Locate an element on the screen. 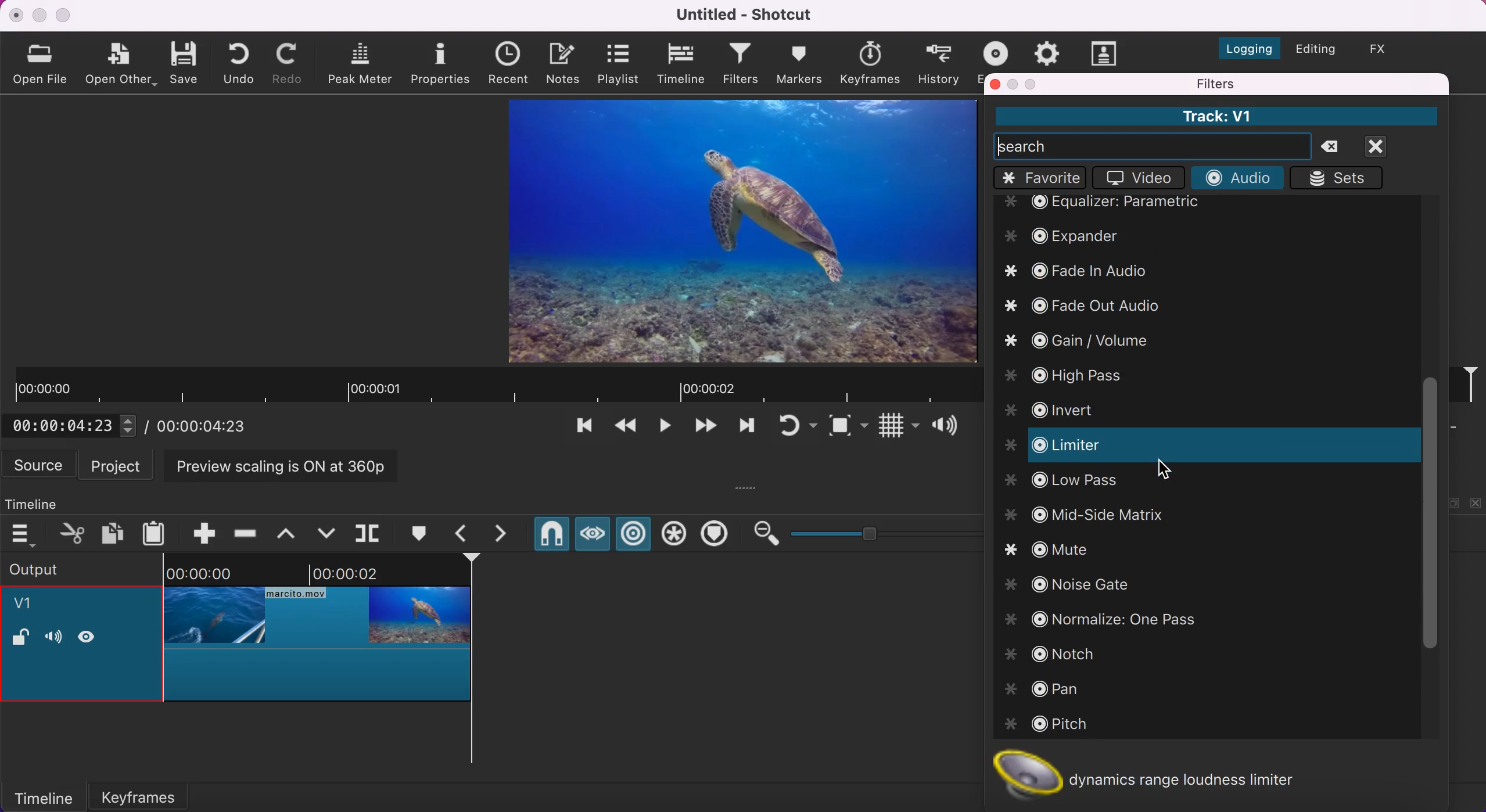 The width and height of the screenshot is (1486, 812). video is located at coordinates (1136, 178).